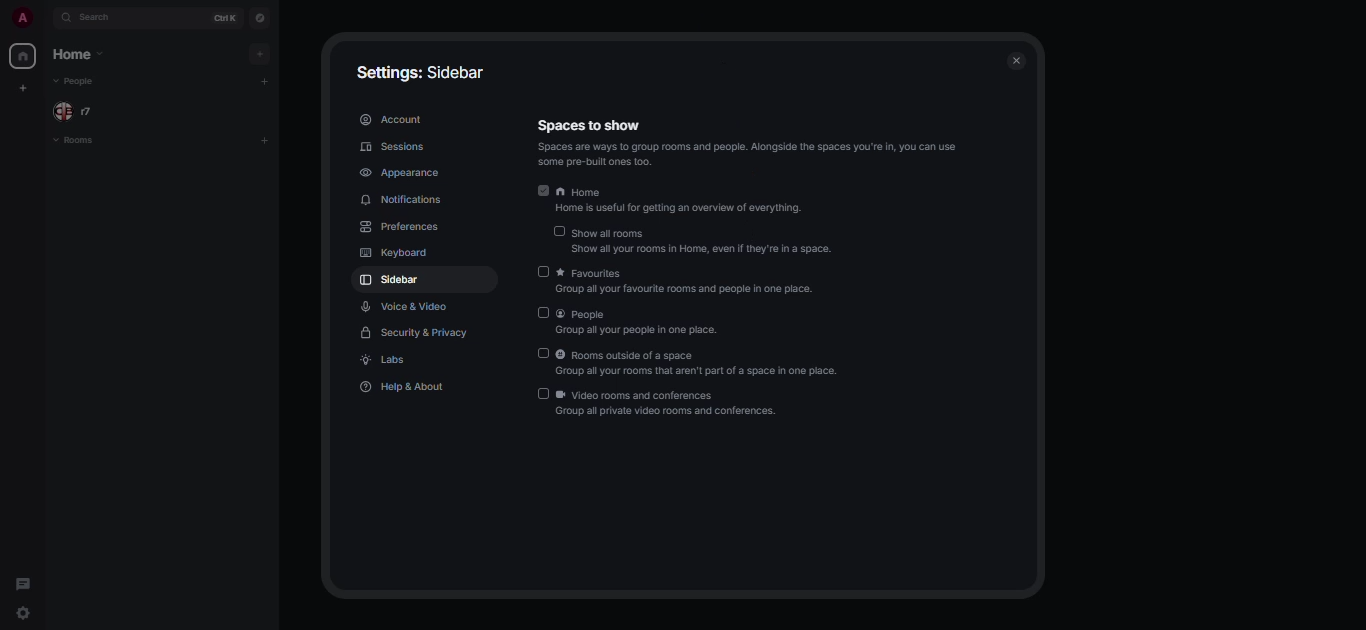 The image size is (1366, 630). What do you see at coordinates (544, 190) in the screenshot?
I see `enabled` at bounding box center [544, 190].